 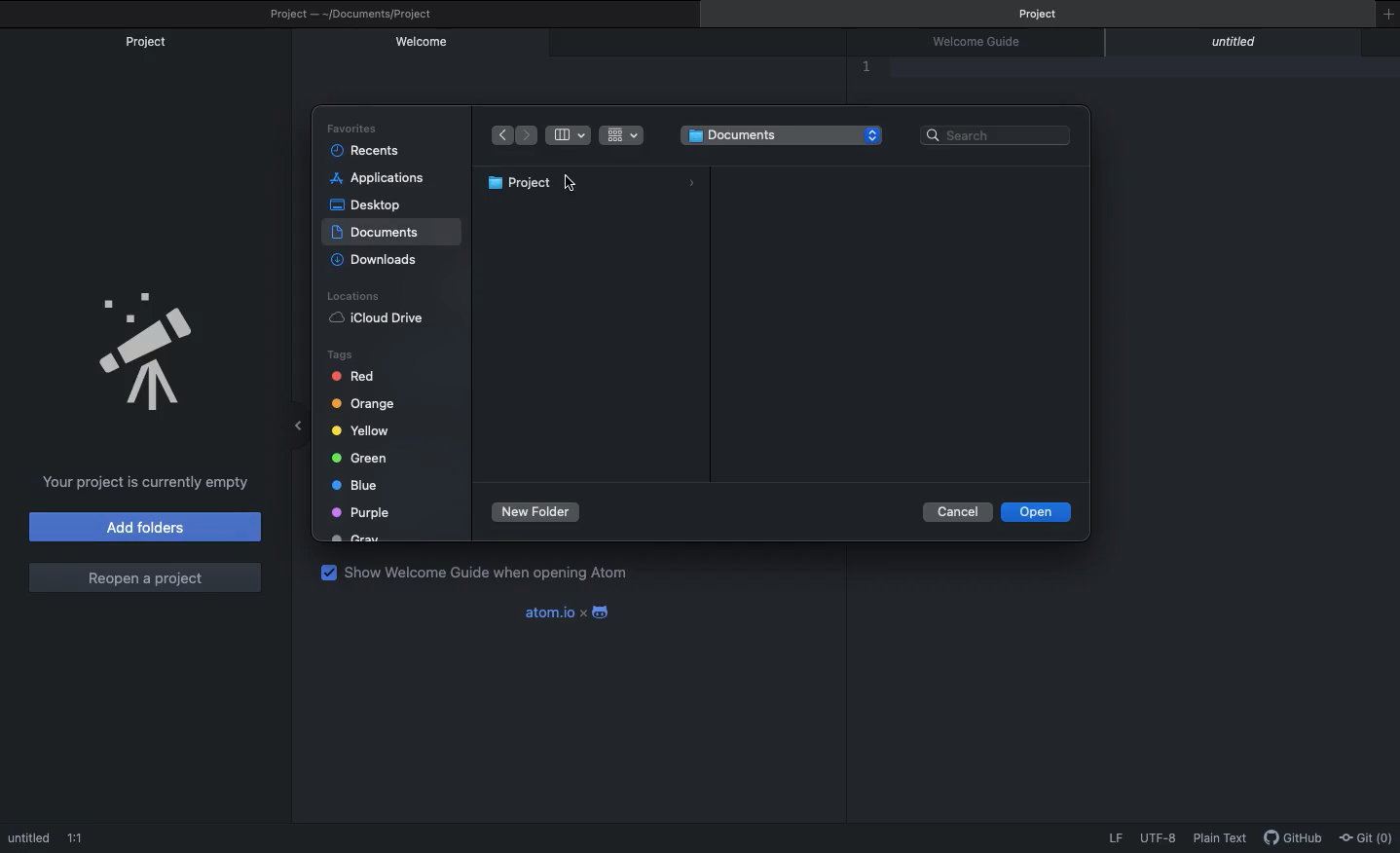 I want to click on Show welcome guide when opening Atom, so click(x=481, y=573).